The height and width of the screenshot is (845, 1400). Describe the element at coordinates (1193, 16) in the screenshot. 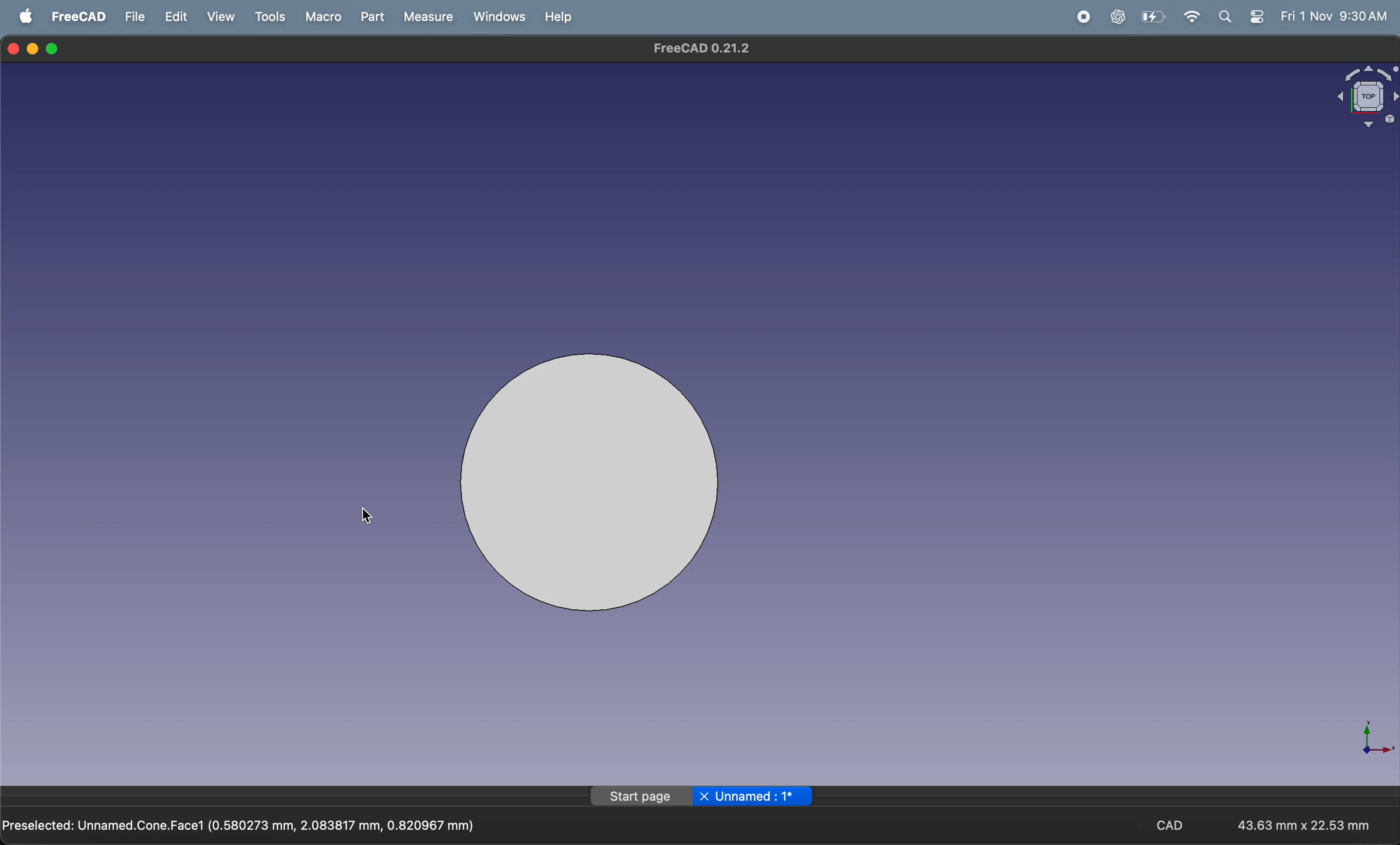

I see `wifi` at that location.